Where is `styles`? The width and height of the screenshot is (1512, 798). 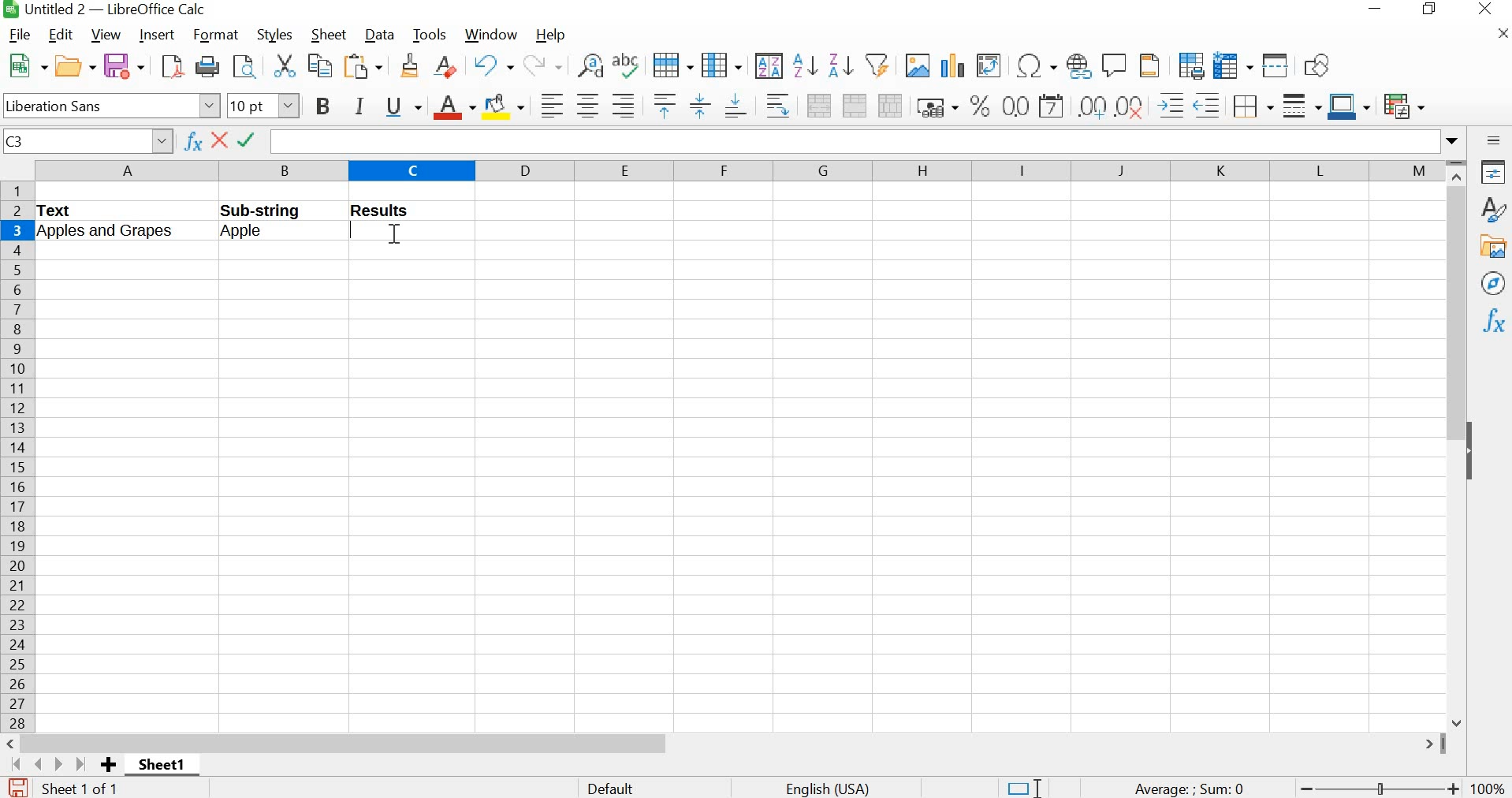 styles is located at coordinates (1492, 209).